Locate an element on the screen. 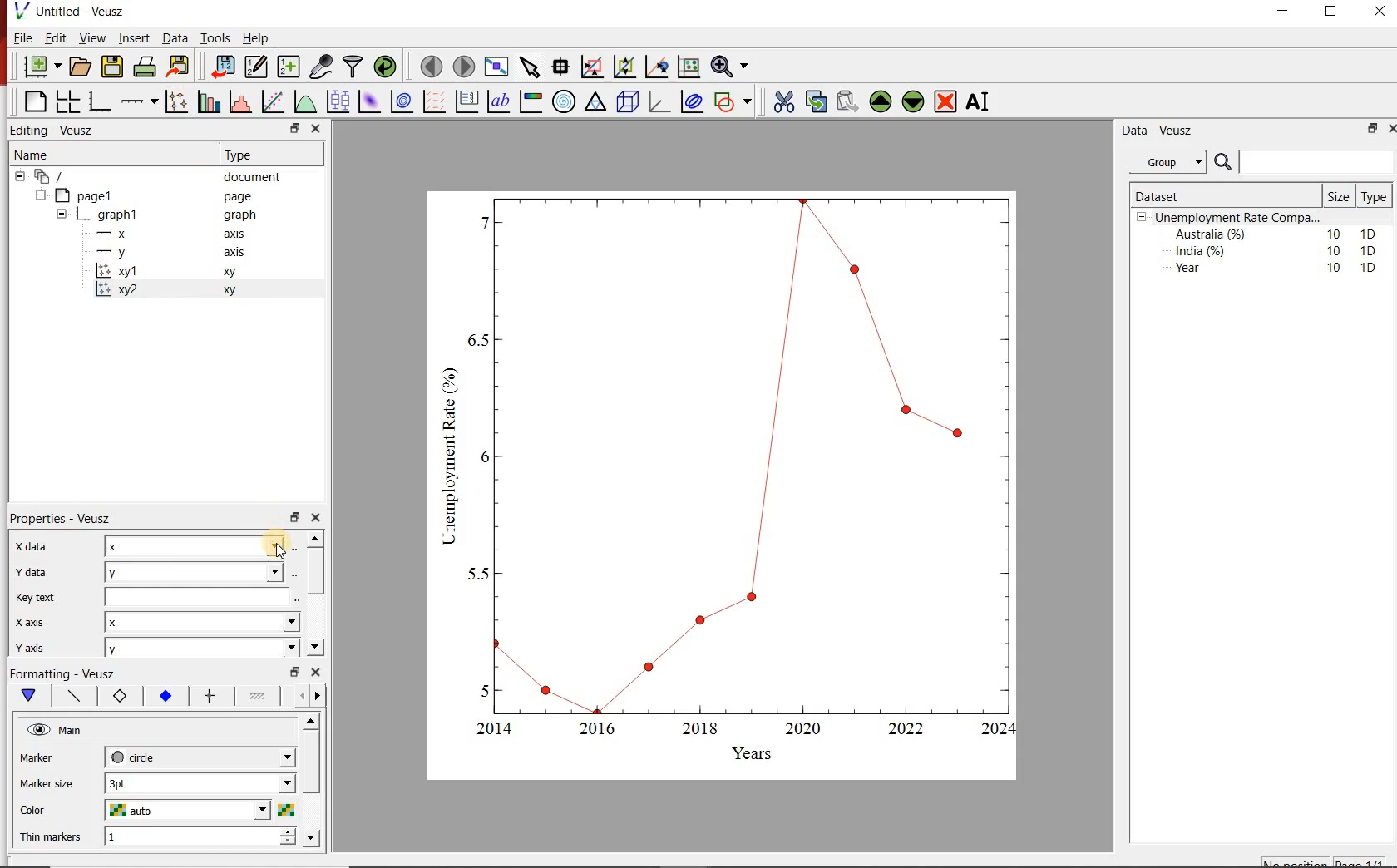  paste the widgets is located at coordinates (848, 101).